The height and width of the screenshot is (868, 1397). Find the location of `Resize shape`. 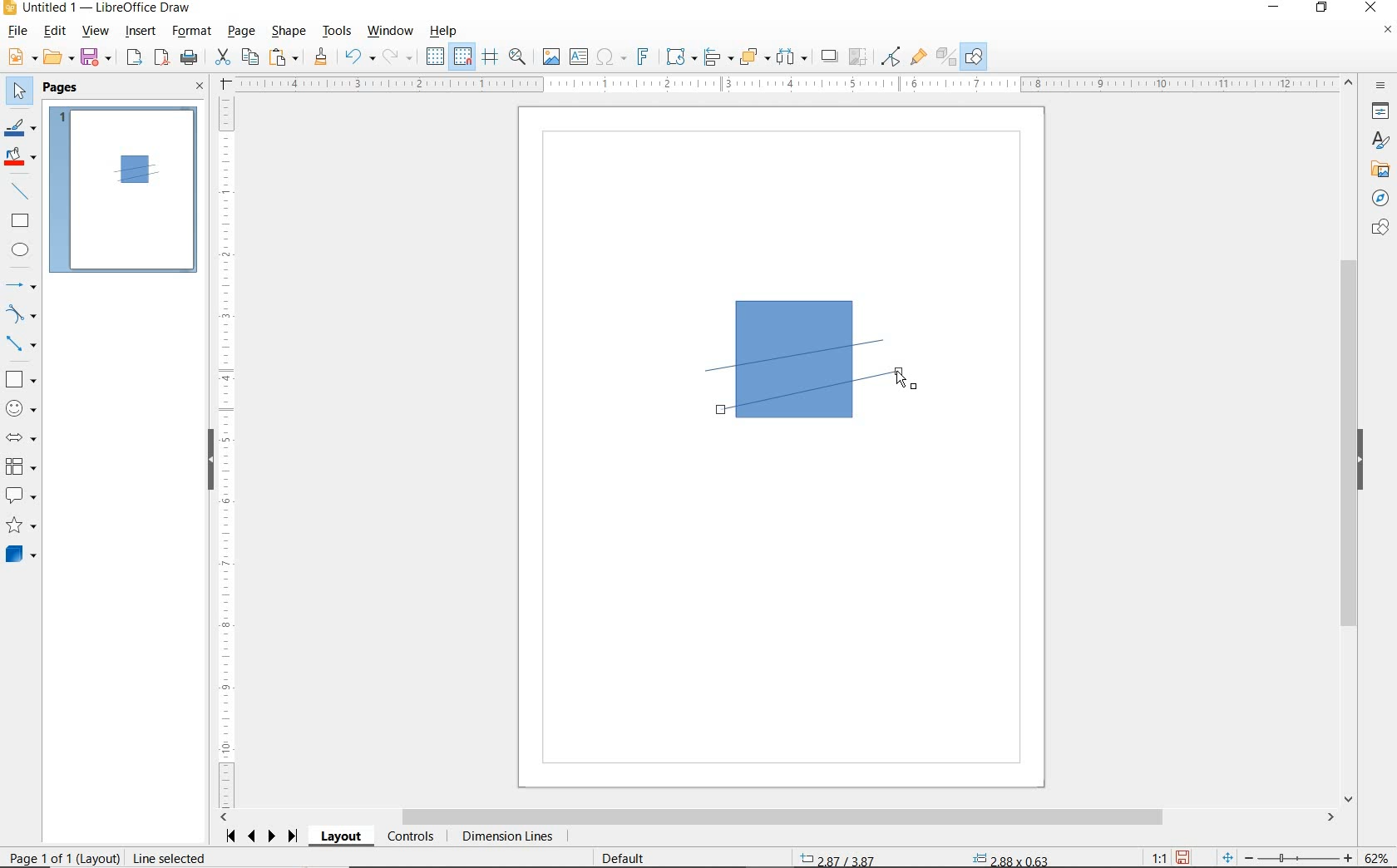

Resize shape is located at coordinates (256, 857).